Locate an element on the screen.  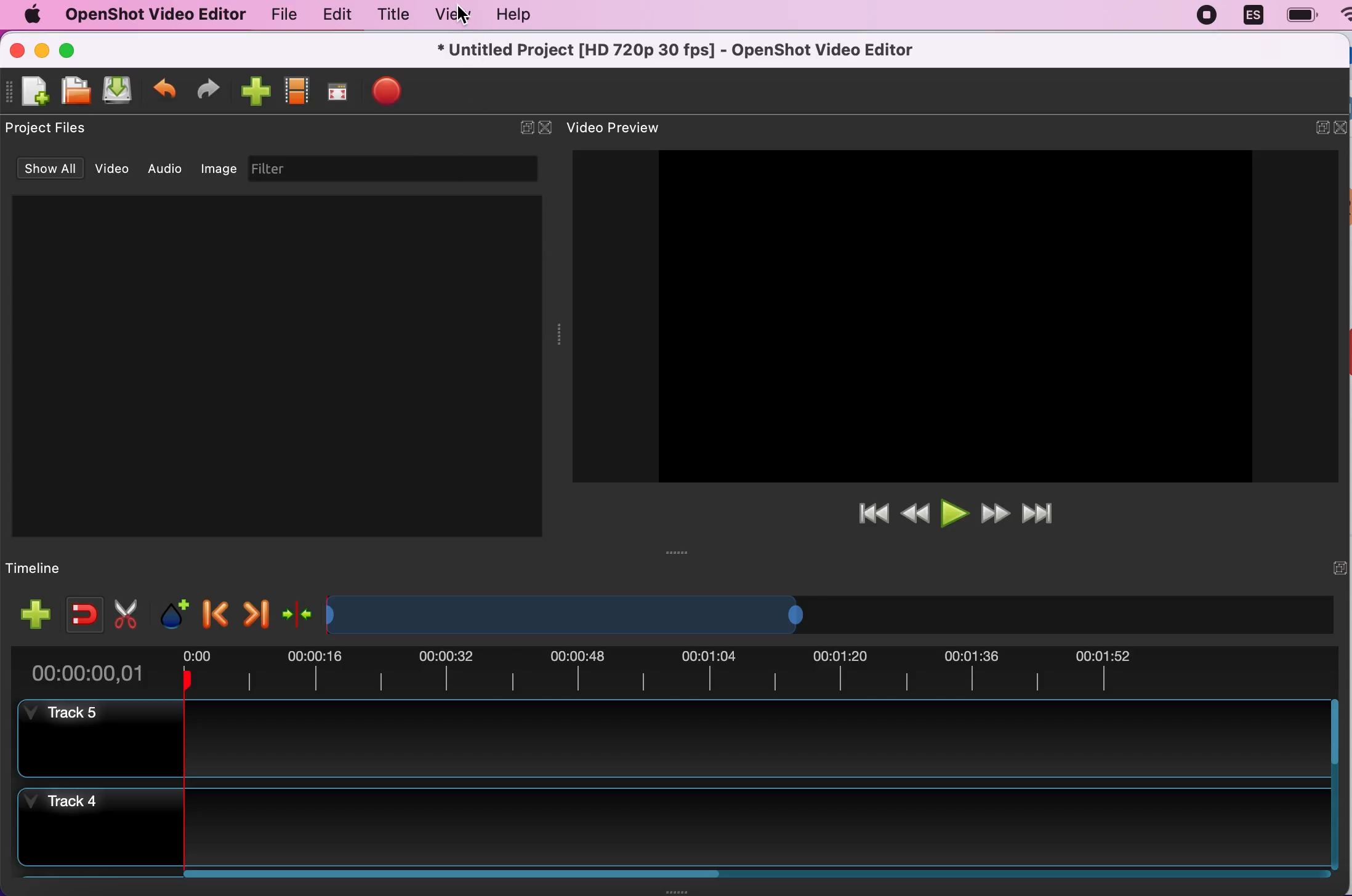
enable snapping is located at coordinates (80, 610).